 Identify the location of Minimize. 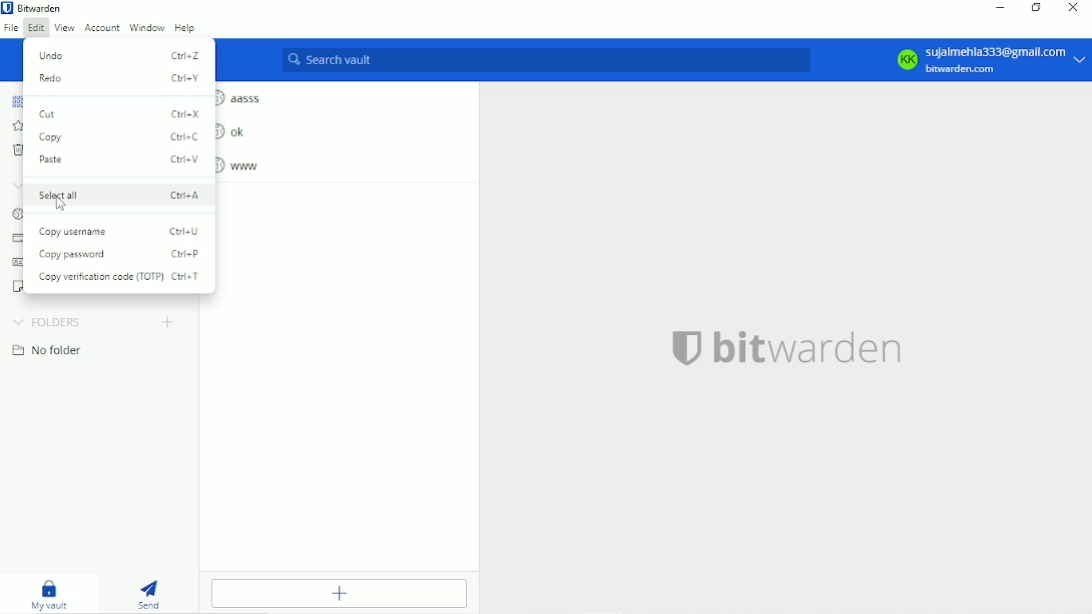
(999, 7).